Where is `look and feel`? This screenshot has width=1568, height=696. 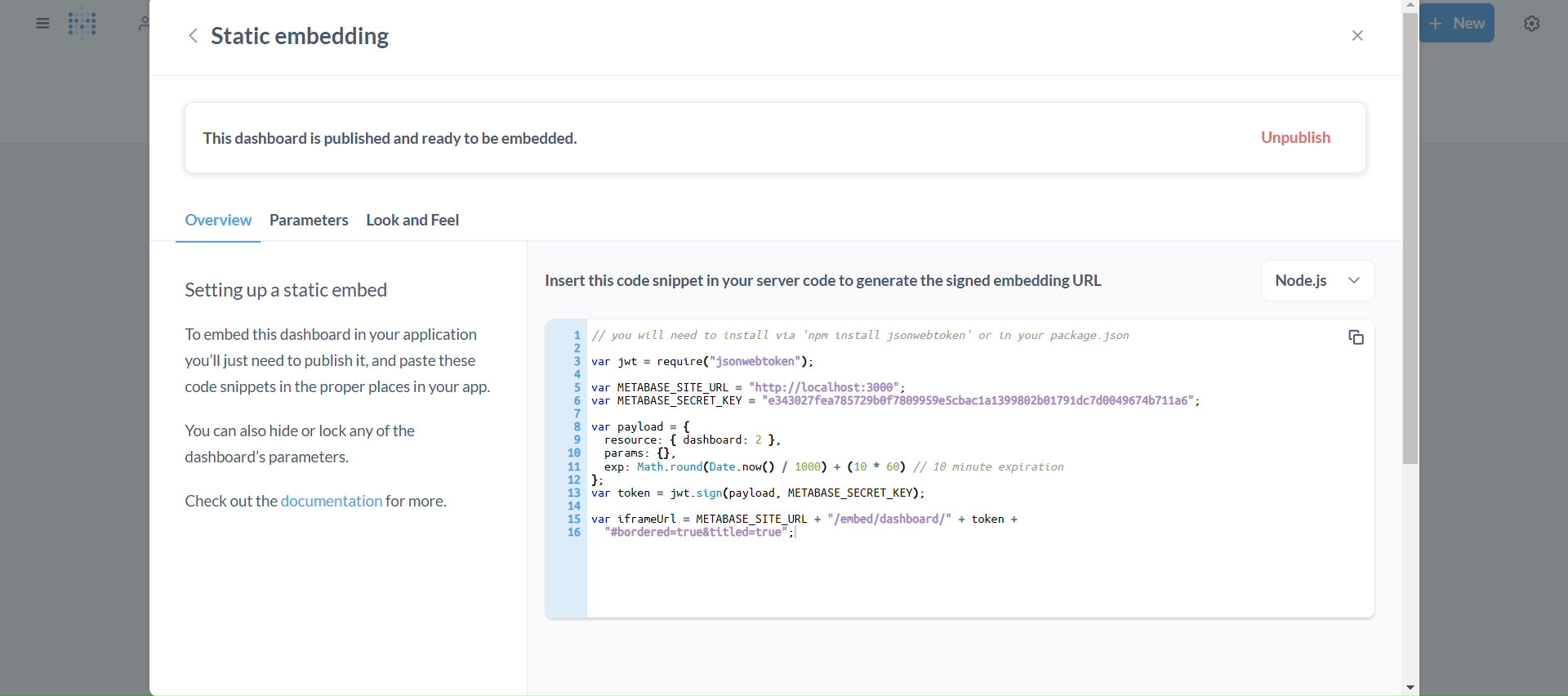 look and feel is located at coordinates (414, 225).